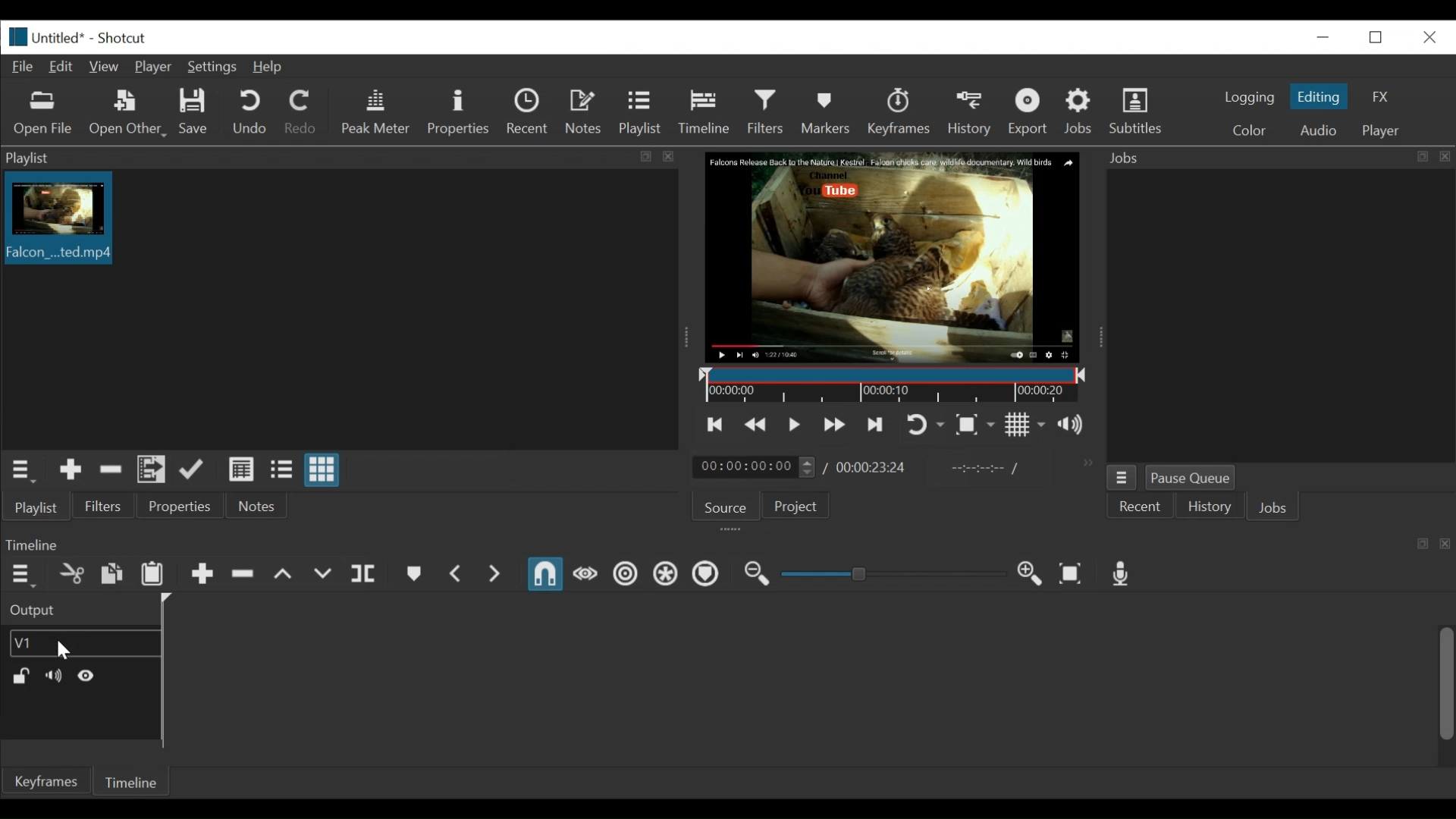  What do you see at coordinates (976, 424) in the screenshot?
I see `Toggle Zoom` at bounding box center [976, 424].